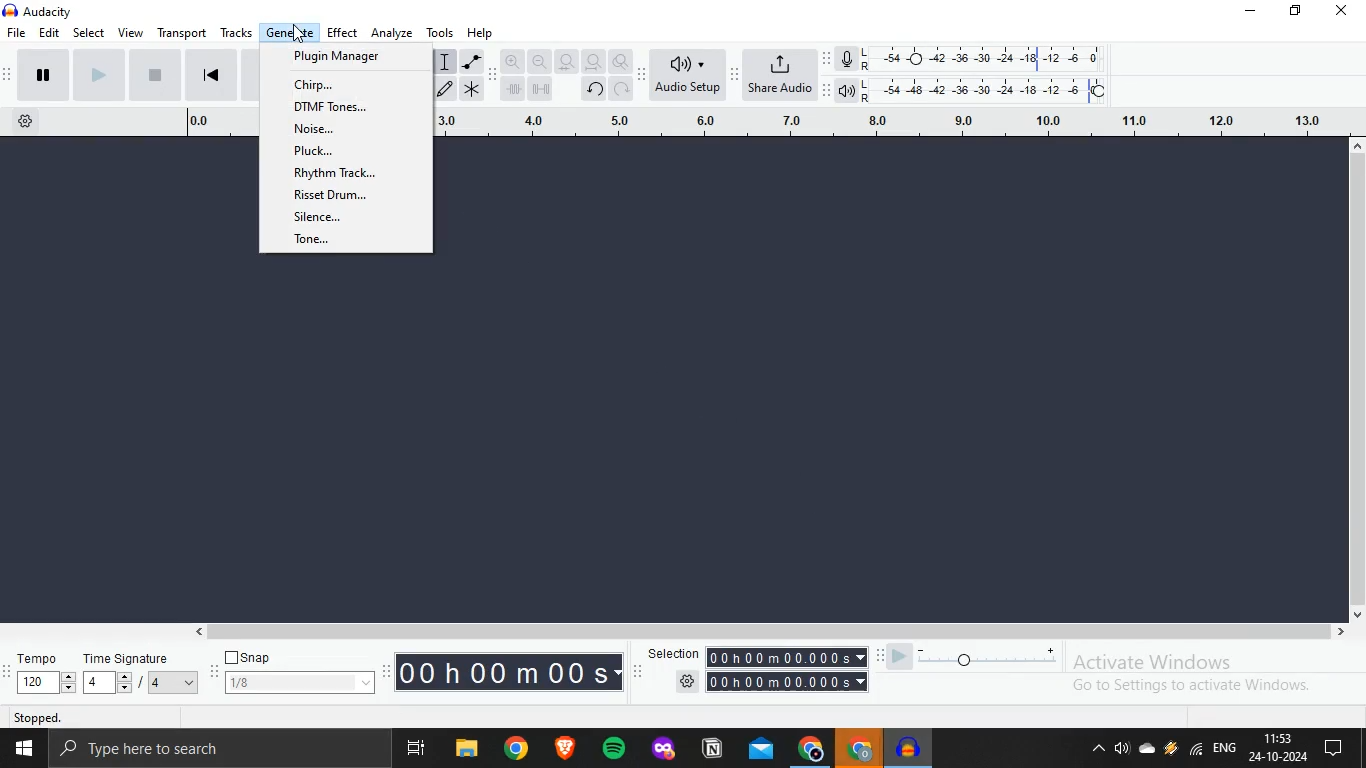  I want to click on Show hidden icons, so click(1099, 752).